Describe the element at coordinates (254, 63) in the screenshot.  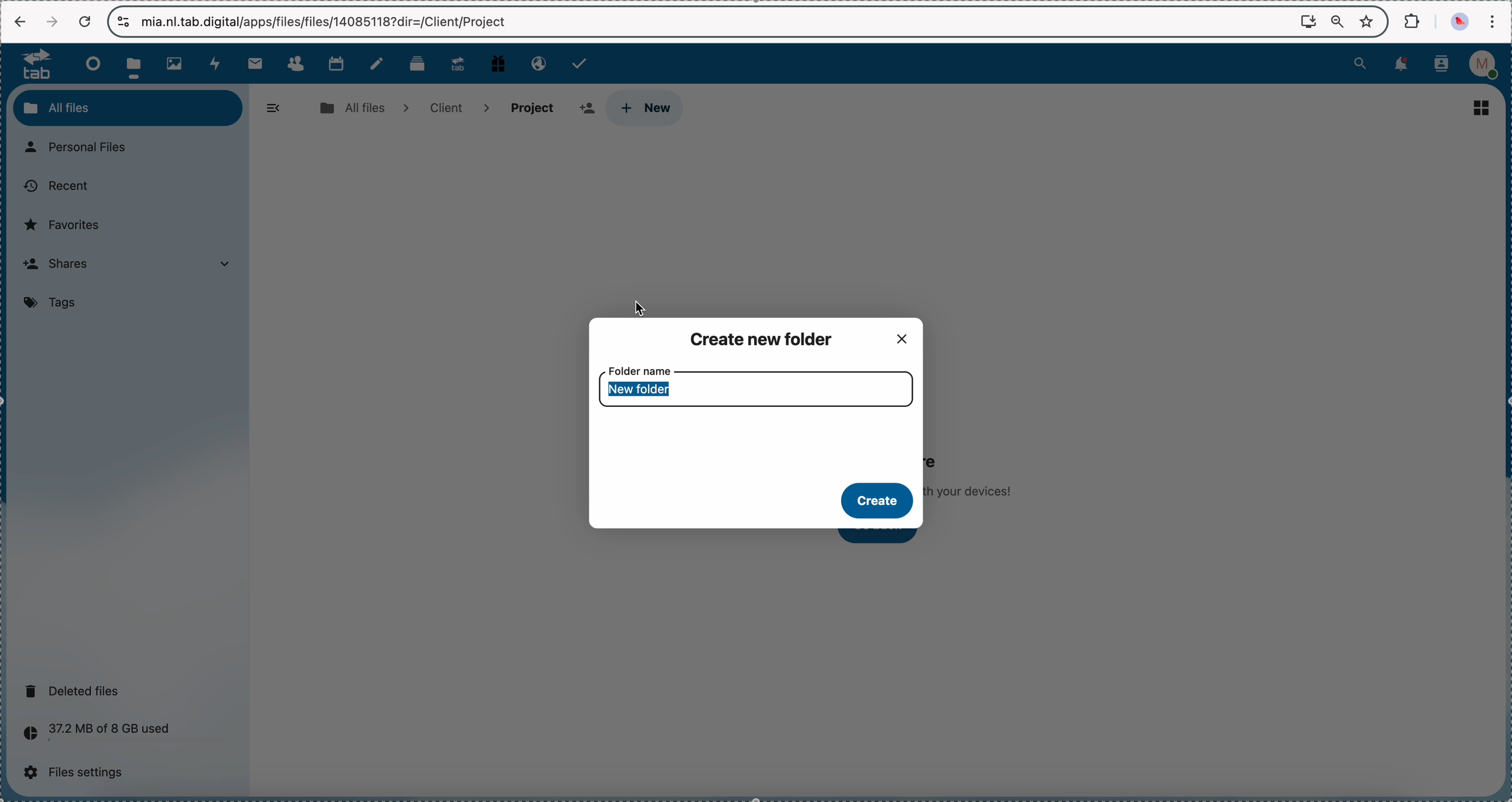
I see `mail` at that location.